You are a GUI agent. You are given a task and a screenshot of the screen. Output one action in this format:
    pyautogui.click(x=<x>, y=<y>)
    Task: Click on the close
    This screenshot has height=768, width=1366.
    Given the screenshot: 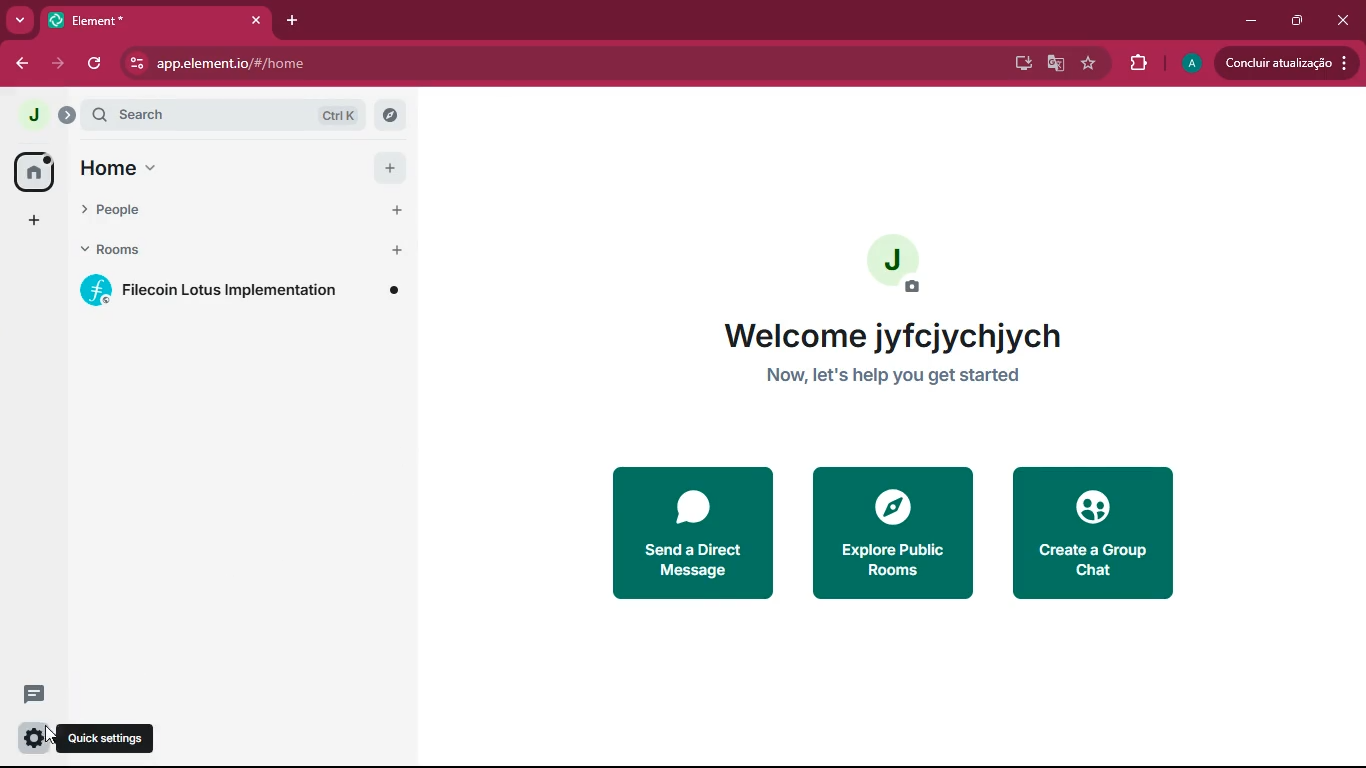 What is the action you would take?
    pyautogui.click(x=1346, y=19)
    